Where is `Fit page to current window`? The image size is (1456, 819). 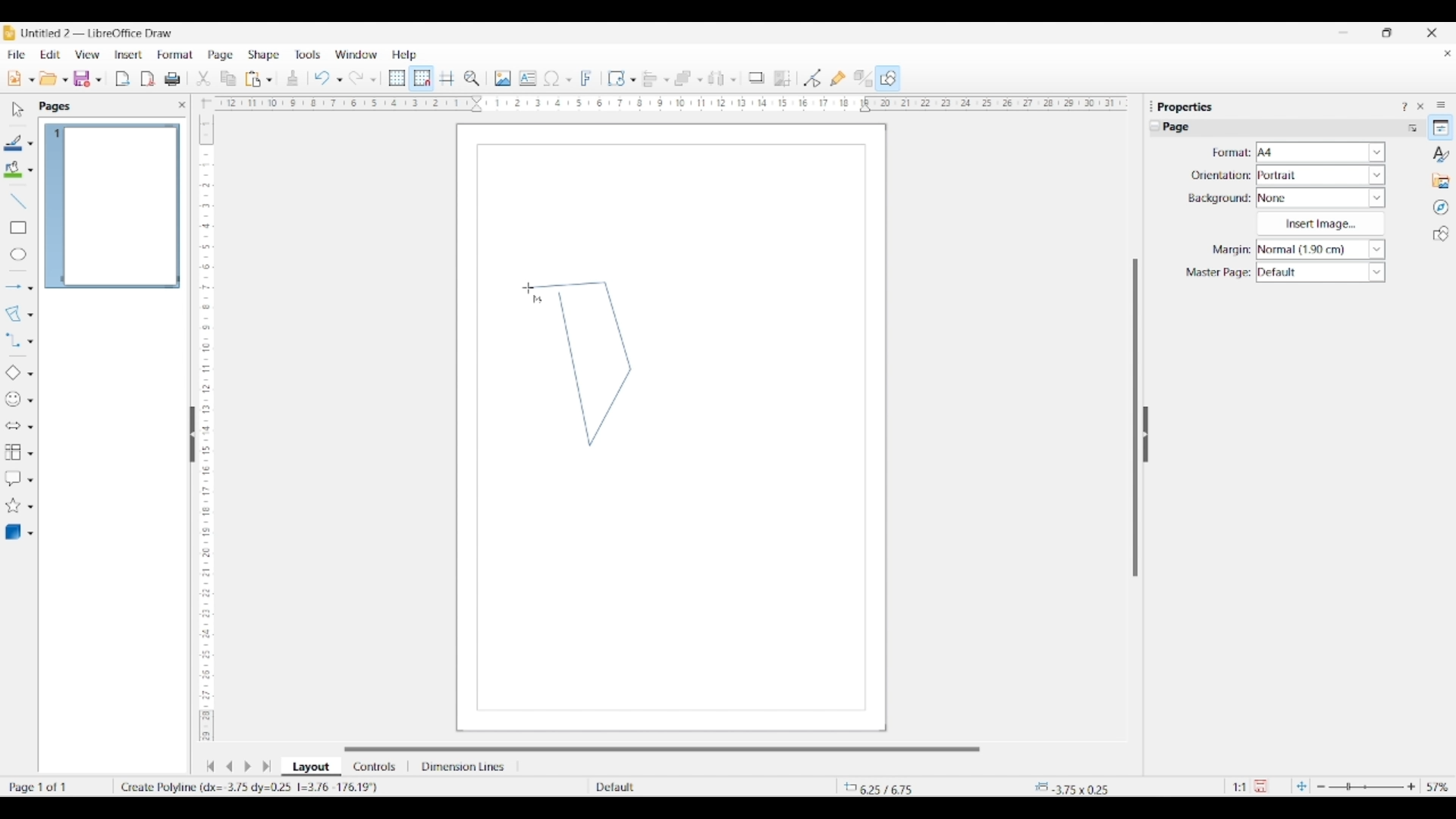 Fit page to current window is located at coordinates (1301, 786).